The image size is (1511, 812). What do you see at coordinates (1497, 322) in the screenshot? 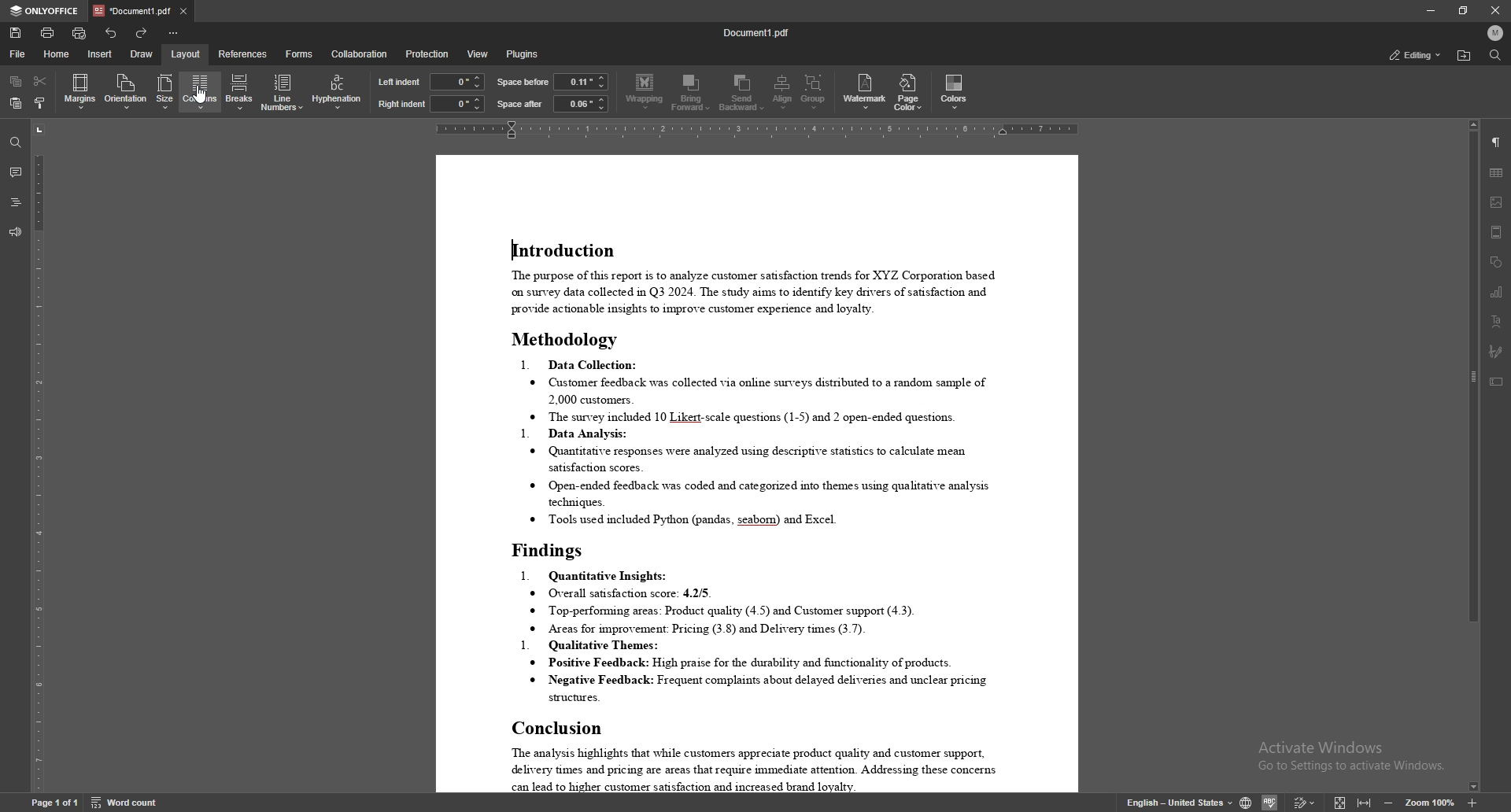
I see `text art` at bounding box center [1497, 322].